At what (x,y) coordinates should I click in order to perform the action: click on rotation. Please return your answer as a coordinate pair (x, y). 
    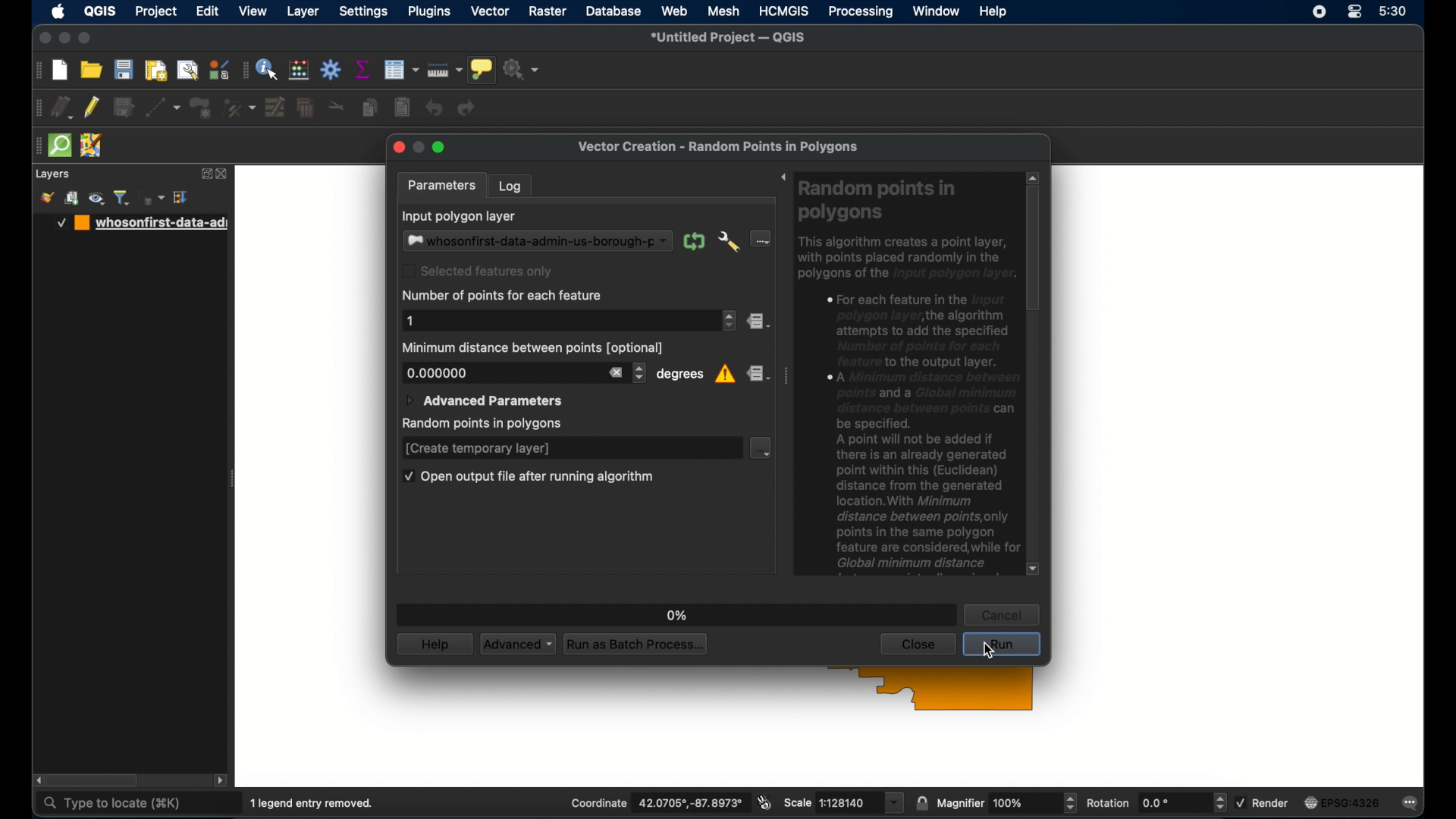
    Looking at the image, I should click on (1156, 802).